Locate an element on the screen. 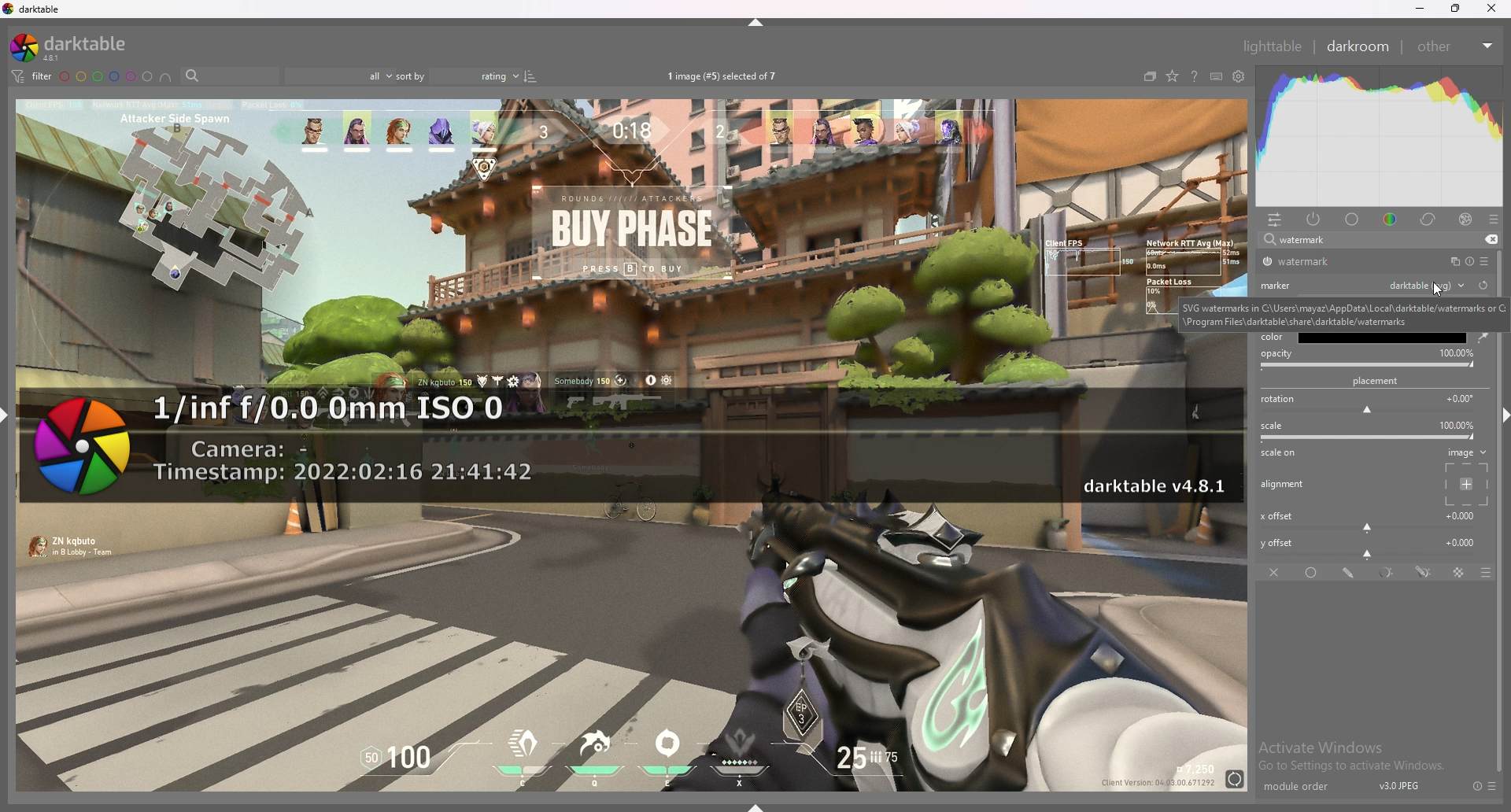 The height and width of the screenshot is (812, 1511). drawn and parametric mask is located at coordinates (1424, 571).